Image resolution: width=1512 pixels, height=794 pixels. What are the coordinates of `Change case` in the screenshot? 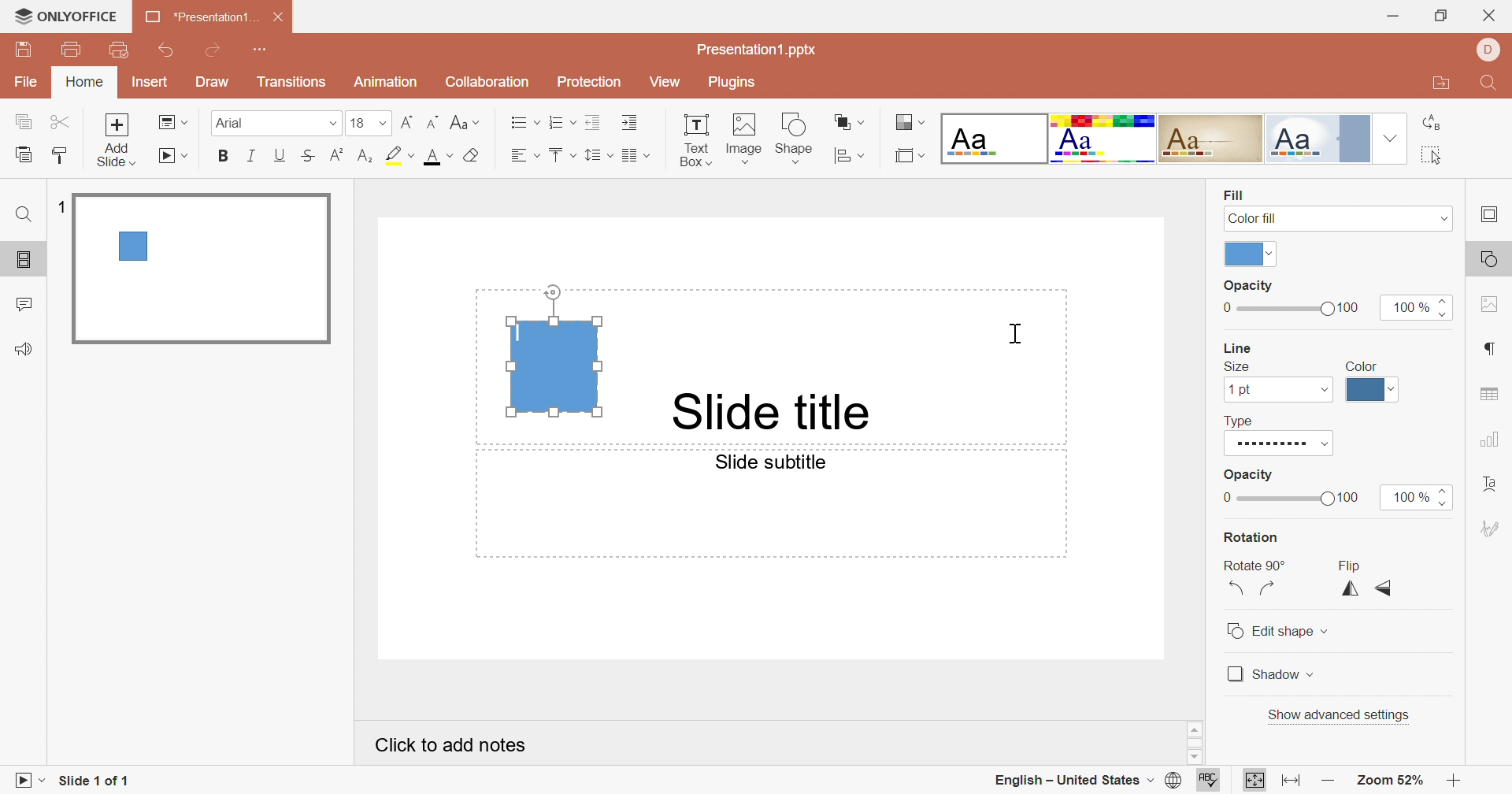 It's located at (466, 124).